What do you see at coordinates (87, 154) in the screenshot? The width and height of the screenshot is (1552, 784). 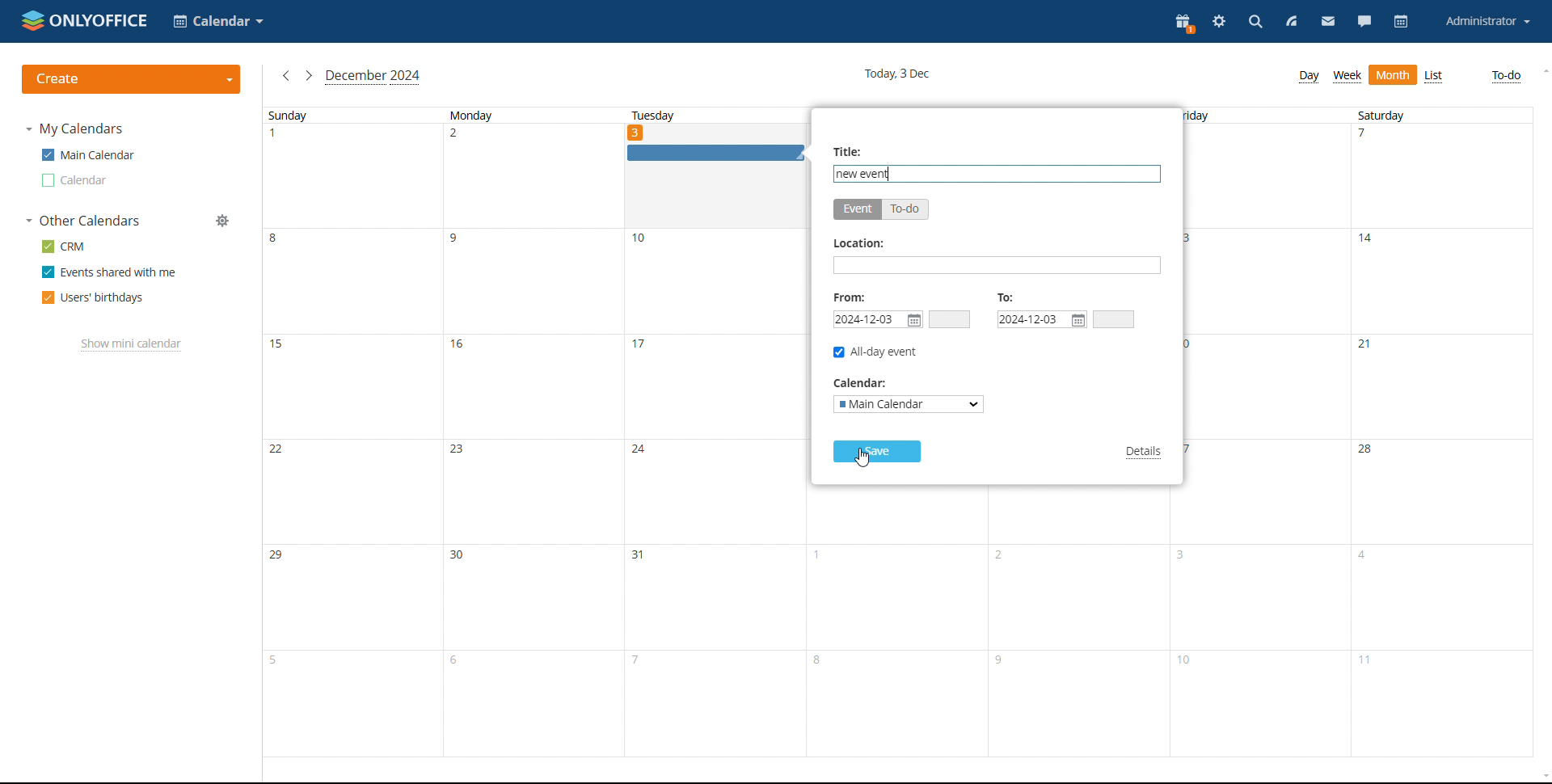 I see `main calendar` at bounding box center [87, 154].